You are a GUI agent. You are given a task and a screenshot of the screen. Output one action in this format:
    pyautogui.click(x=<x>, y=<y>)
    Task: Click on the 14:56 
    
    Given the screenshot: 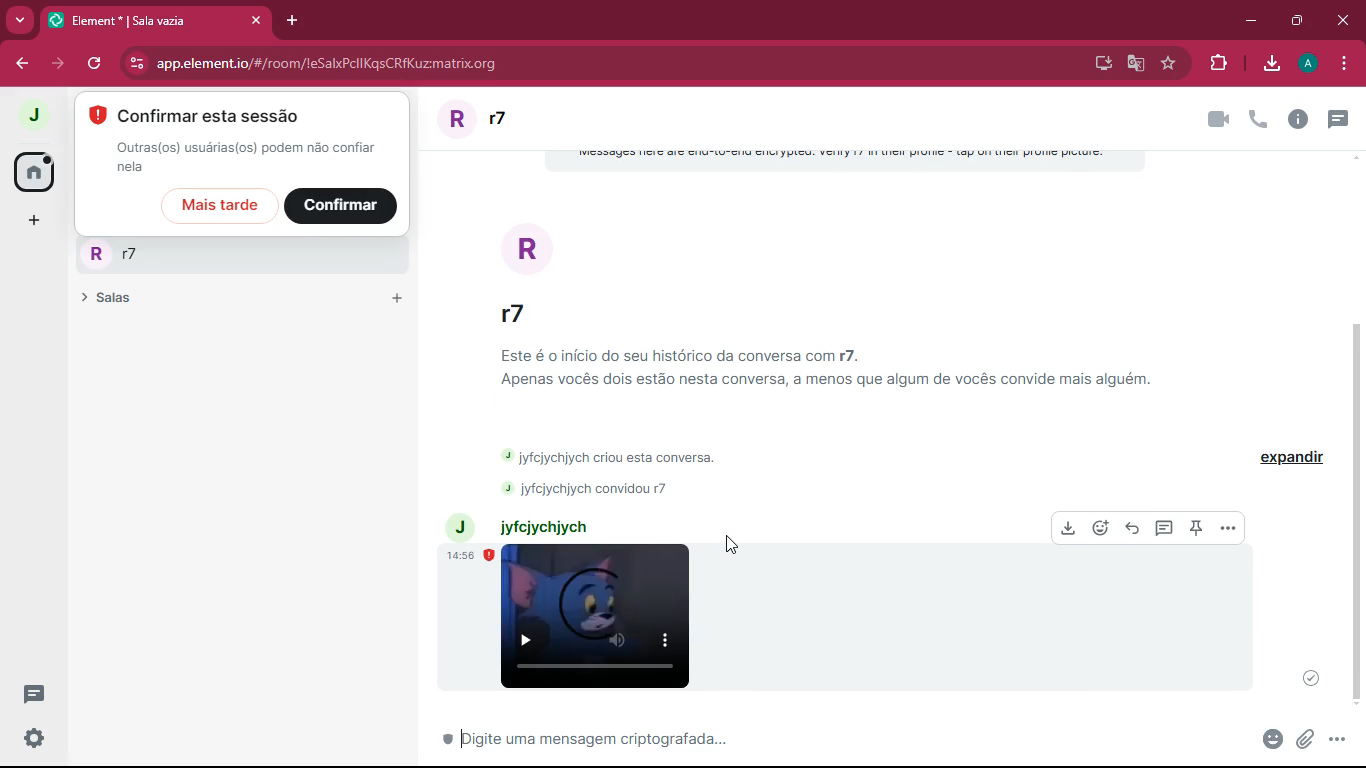 What is the action you would take?
    pyautogui.click(x=460, y=558)
    